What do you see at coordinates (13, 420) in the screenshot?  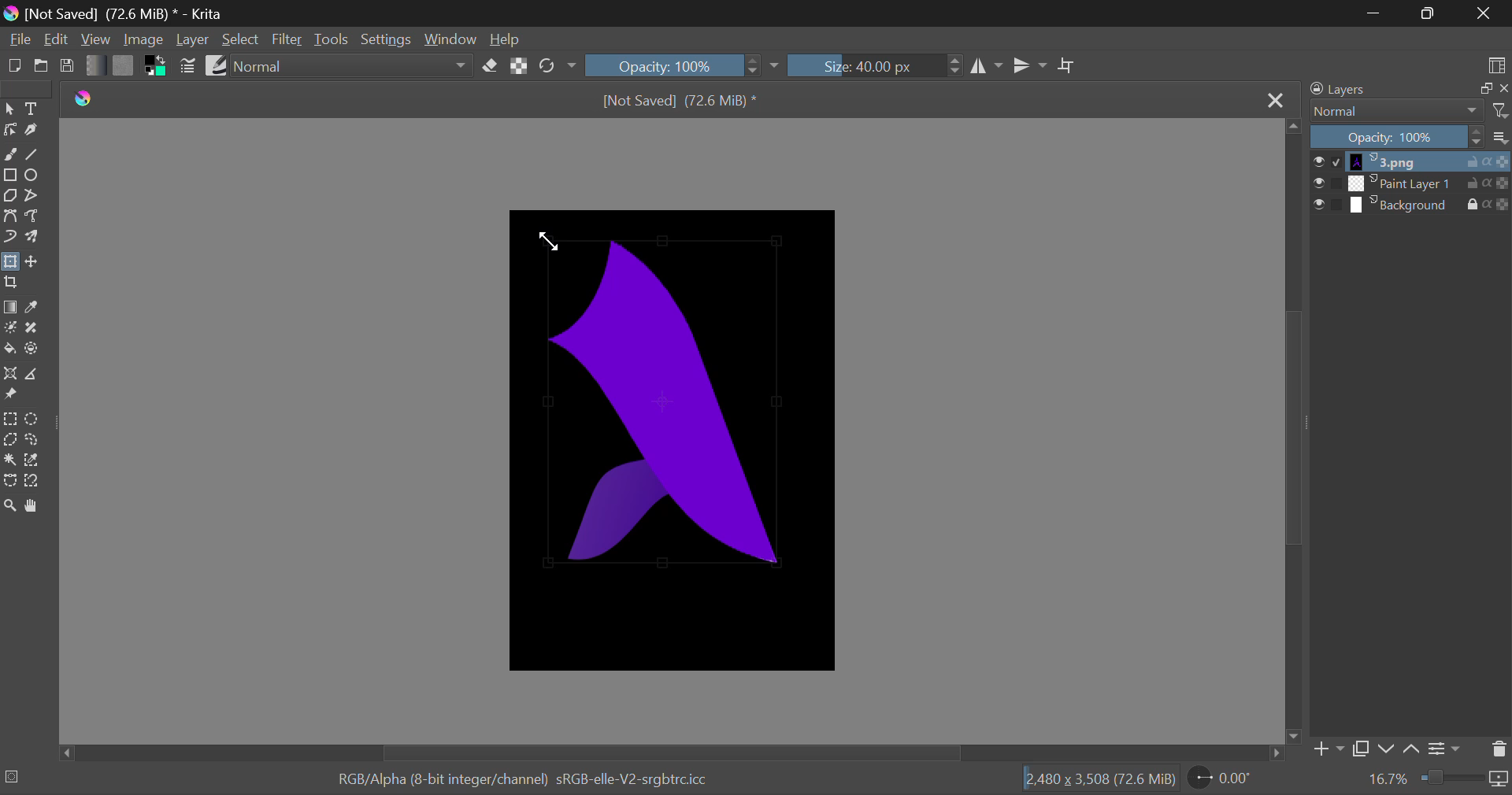 I see `Rectangle Selection` at bounding box center [13, 420].